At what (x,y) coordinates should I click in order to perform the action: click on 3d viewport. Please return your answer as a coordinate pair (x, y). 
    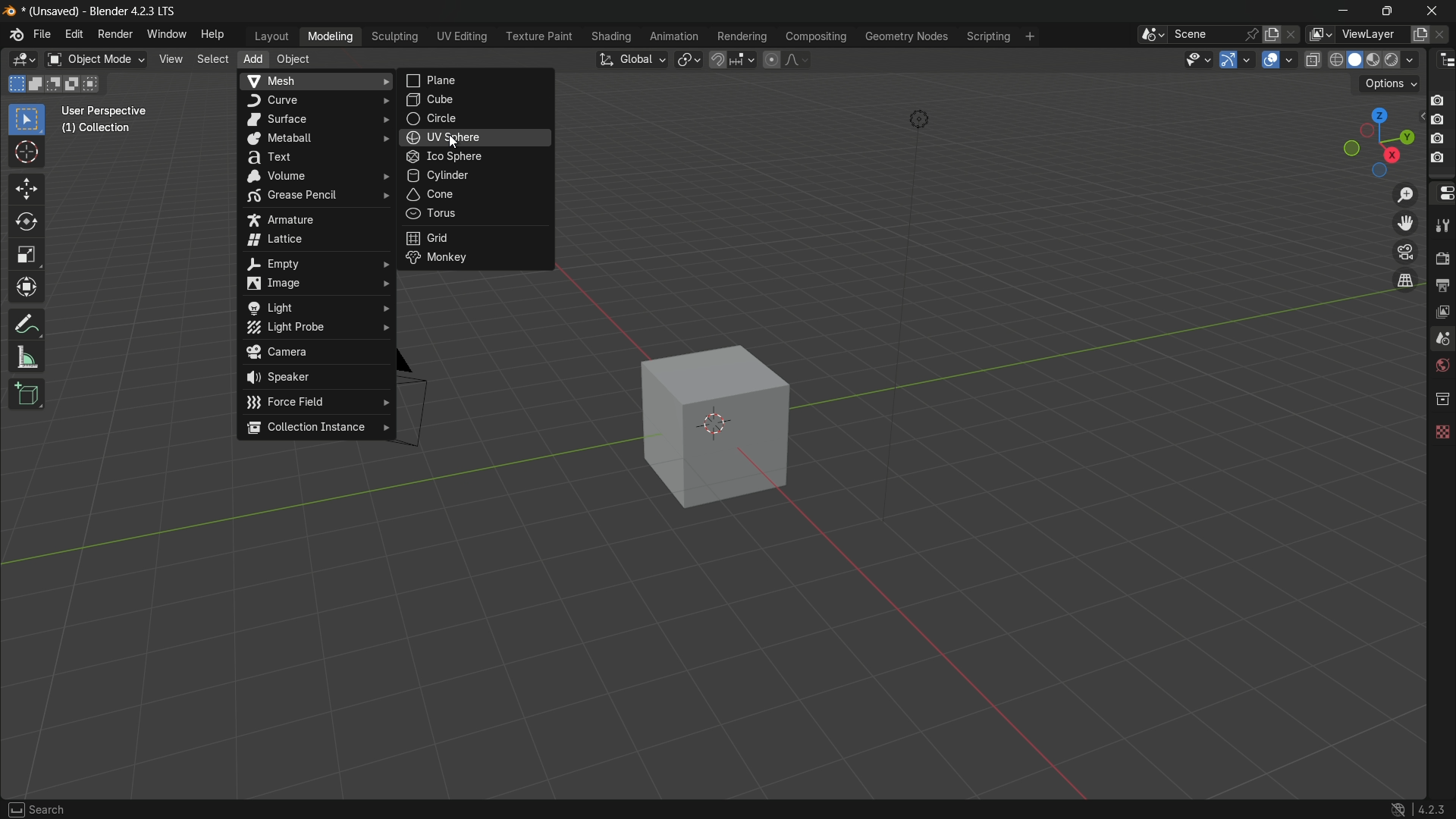
    Looking at the image, I should click on (20, 60).